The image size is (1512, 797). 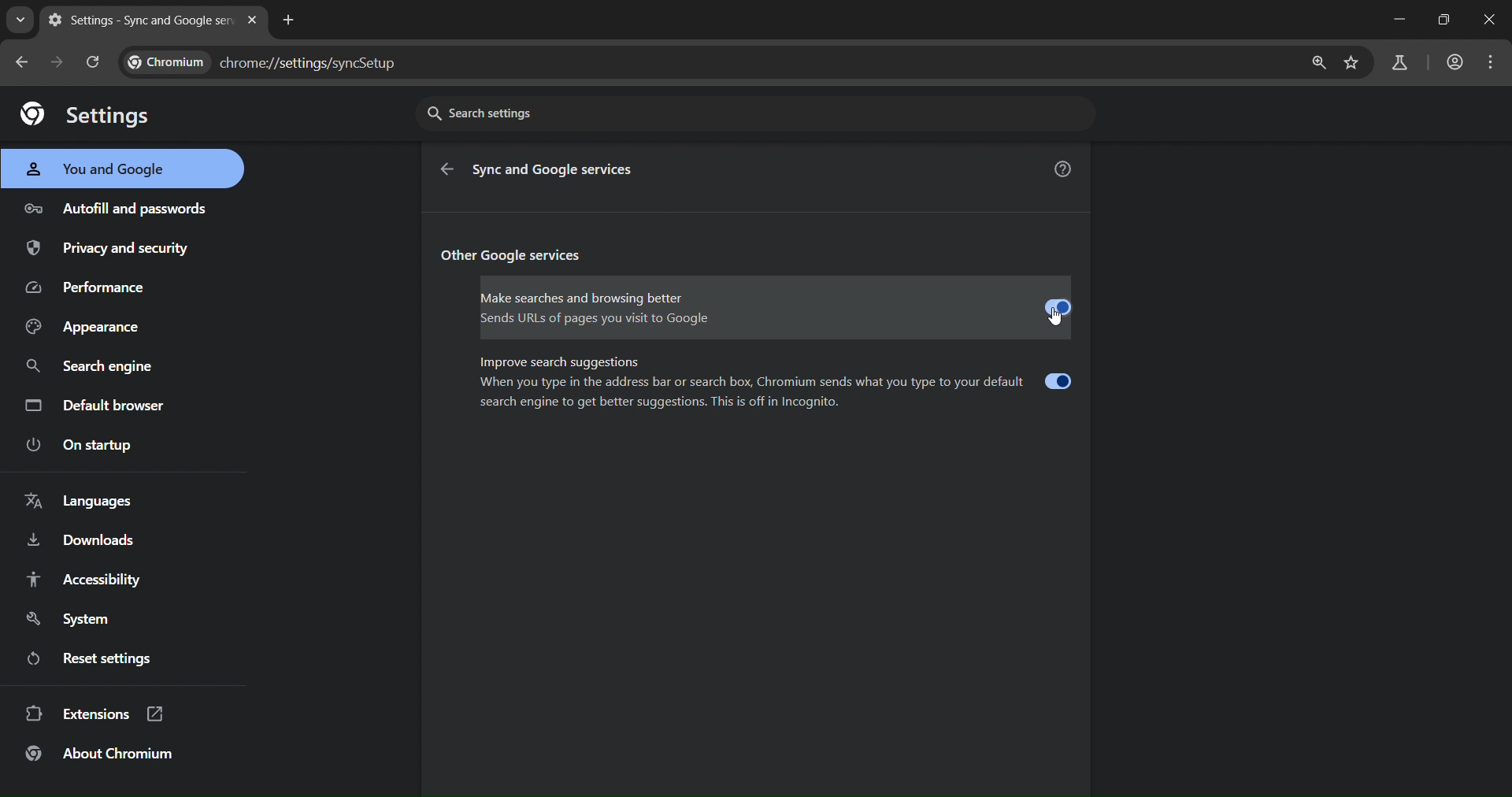 What do you see at coordinates (84, 580) in the screenshot?
I see `accessibility` at bounding box center [84, 580].